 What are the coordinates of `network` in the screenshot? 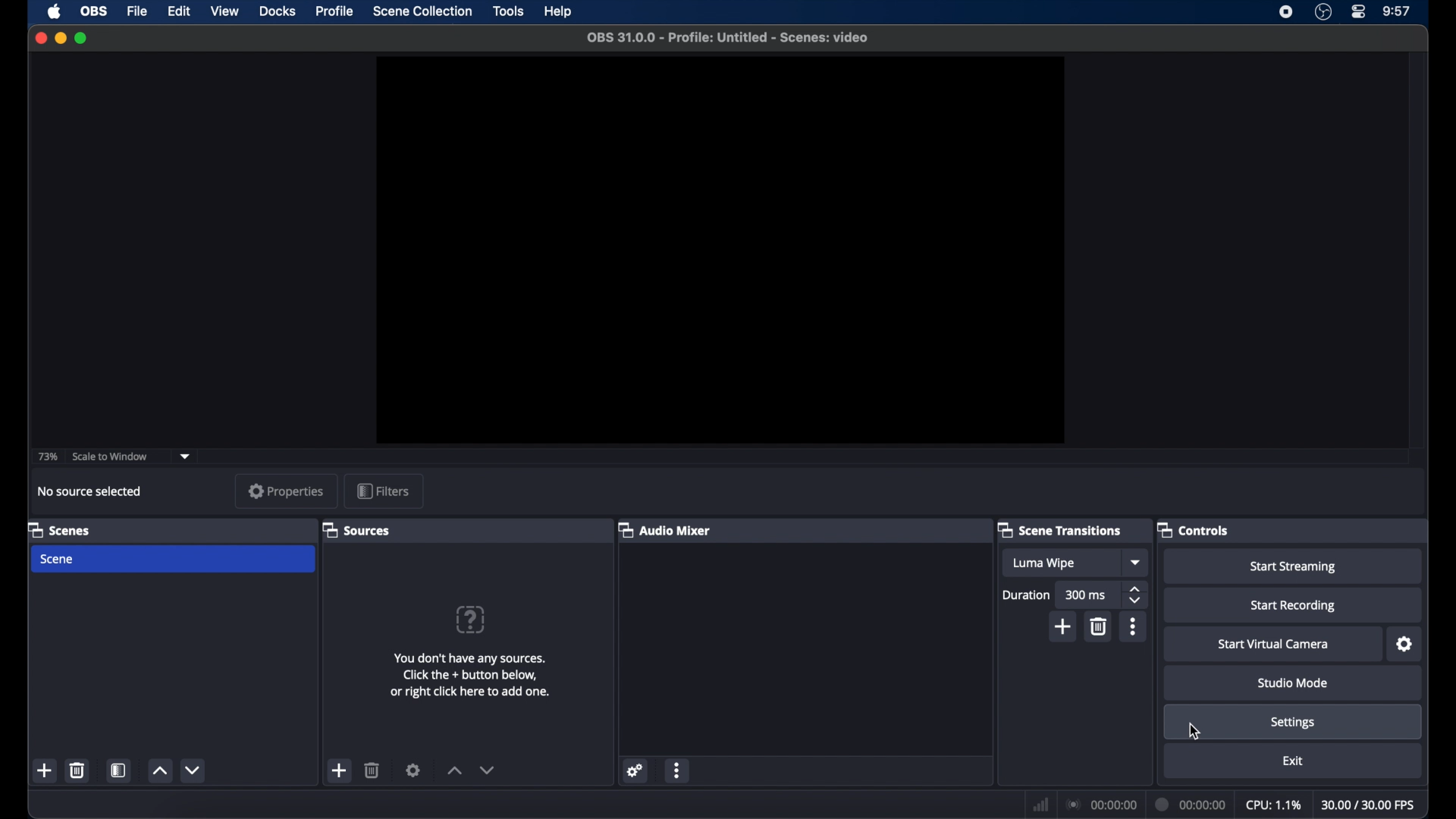 It's located at (1041, 804).